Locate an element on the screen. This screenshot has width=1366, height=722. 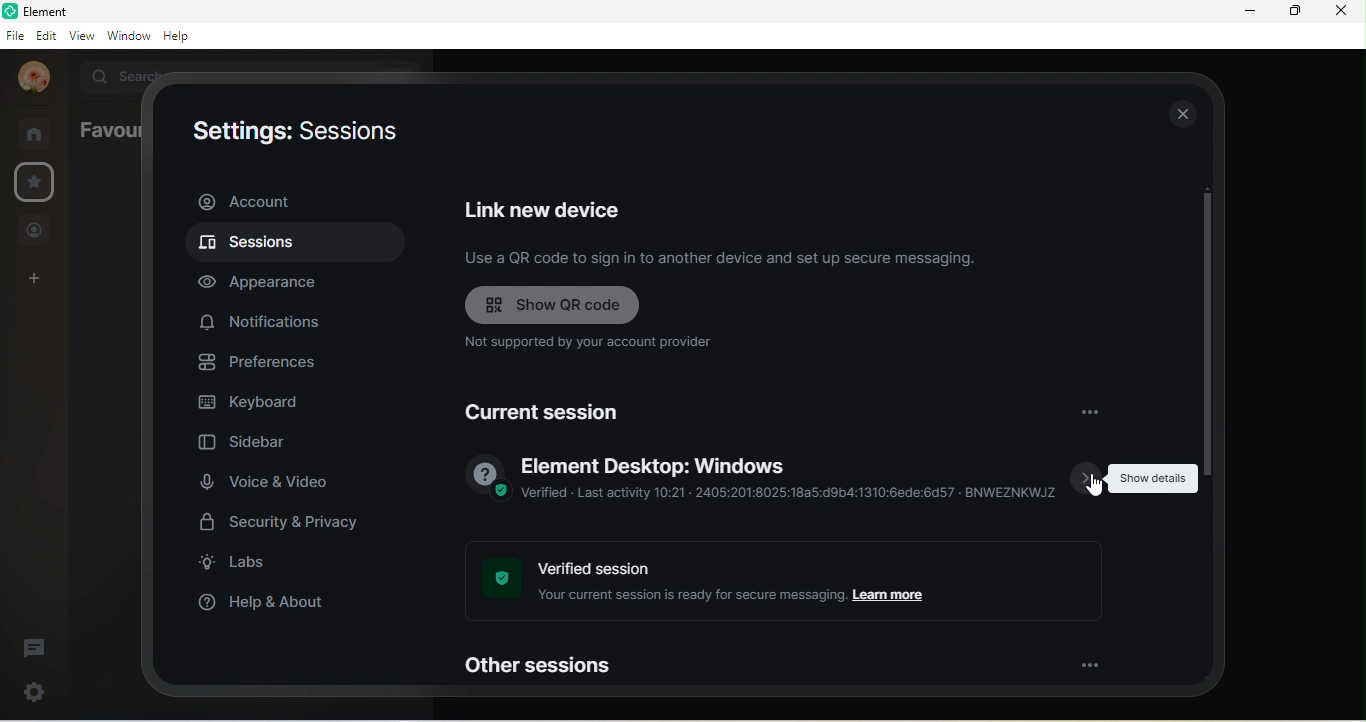
show details is located at coordinates (1086, 476).